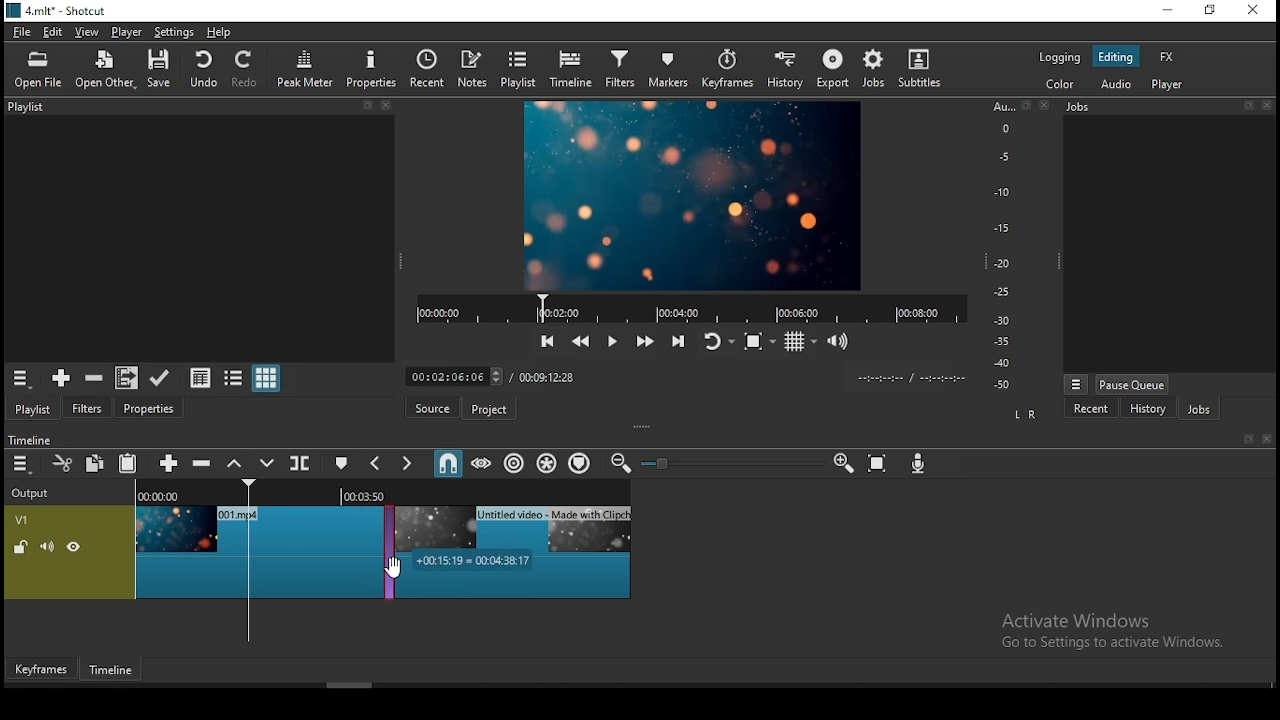  Describe the element at coordinates (1212, 11) in the screenshot. I see `restore` at that location.